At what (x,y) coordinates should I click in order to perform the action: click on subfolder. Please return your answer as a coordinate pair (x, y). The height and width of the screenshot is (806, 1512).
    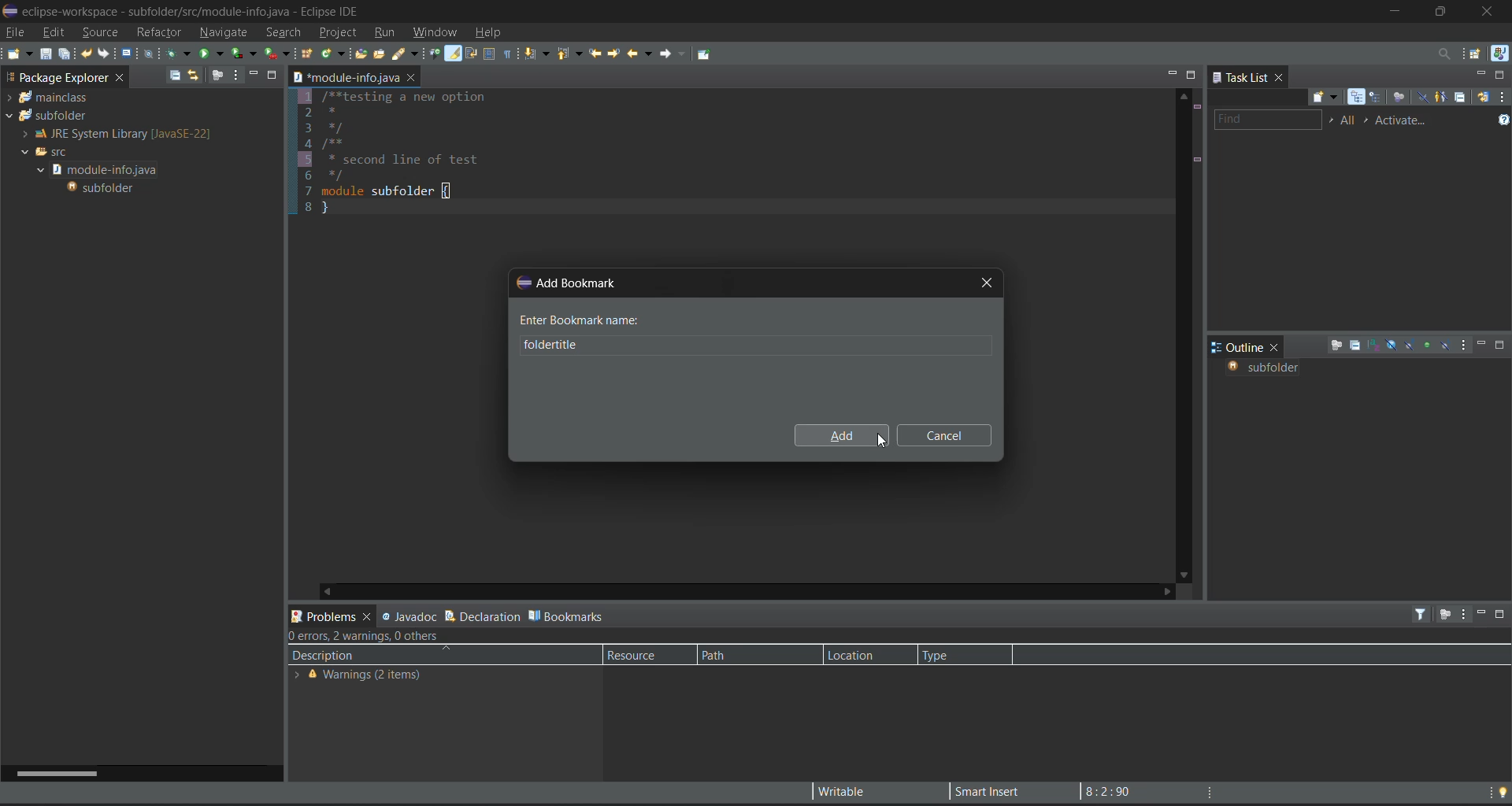
    Looking at the image, I should click on (1262, 368).